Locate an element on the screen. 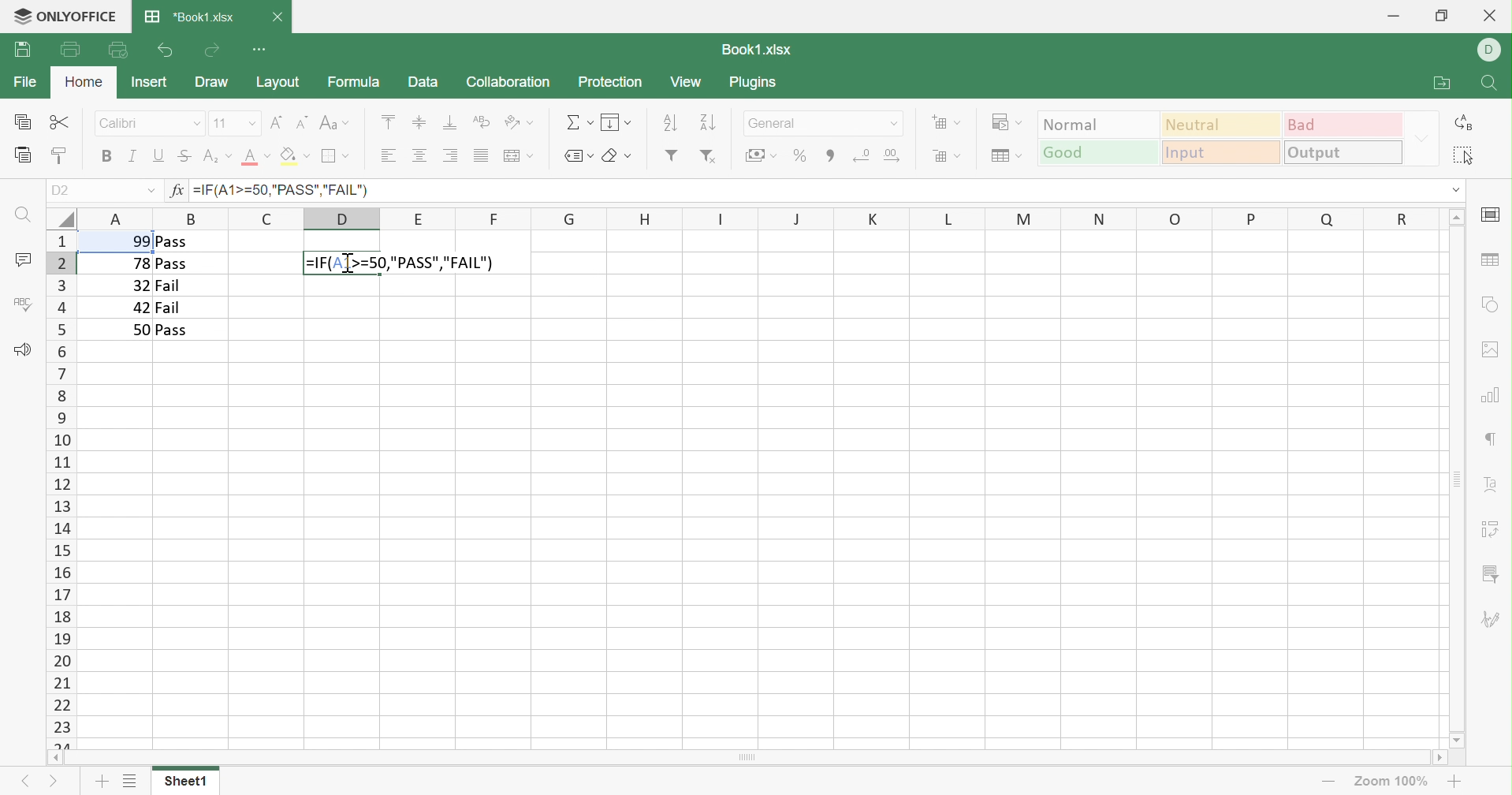 This screenshot has height=795, width=1512. Accounting style is located at coordinates (760, 157).